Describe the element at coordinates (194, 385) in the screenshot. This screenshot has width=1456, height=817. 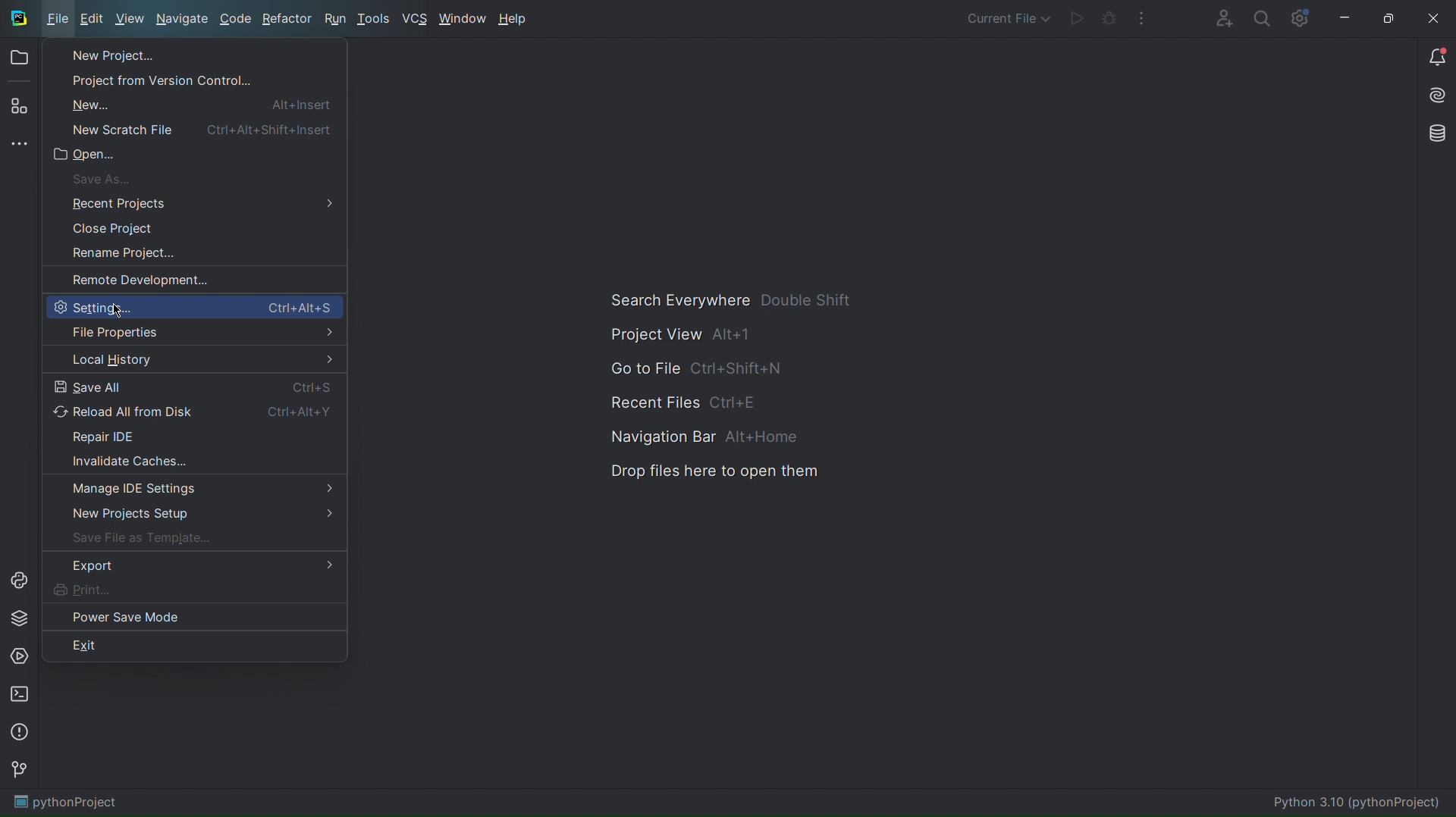
I see `Save All` at that location.